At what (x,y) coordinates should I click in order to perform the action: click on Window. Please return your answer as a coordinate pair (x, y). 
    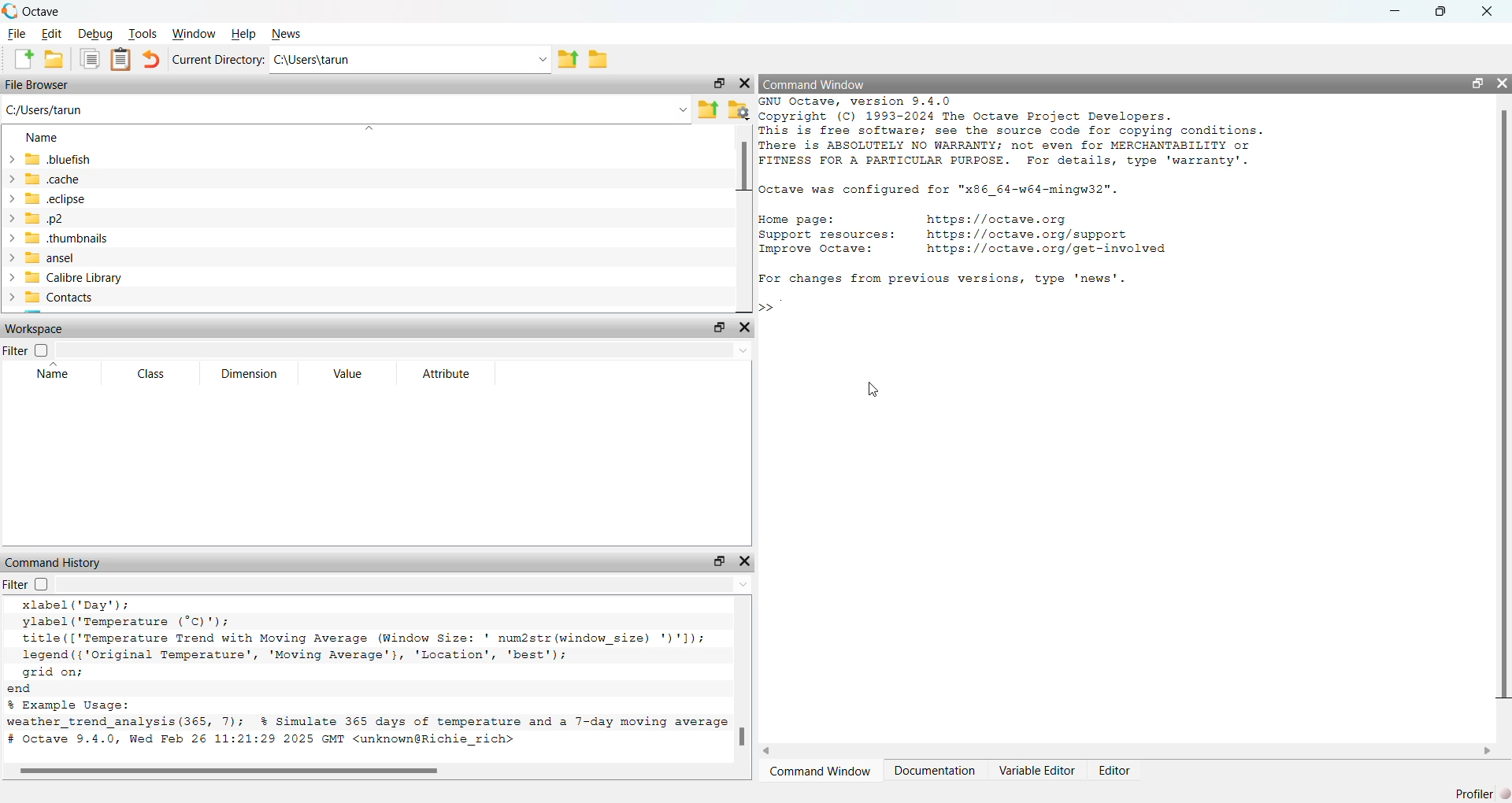
    Looking at the image, I should click on (193, 32).